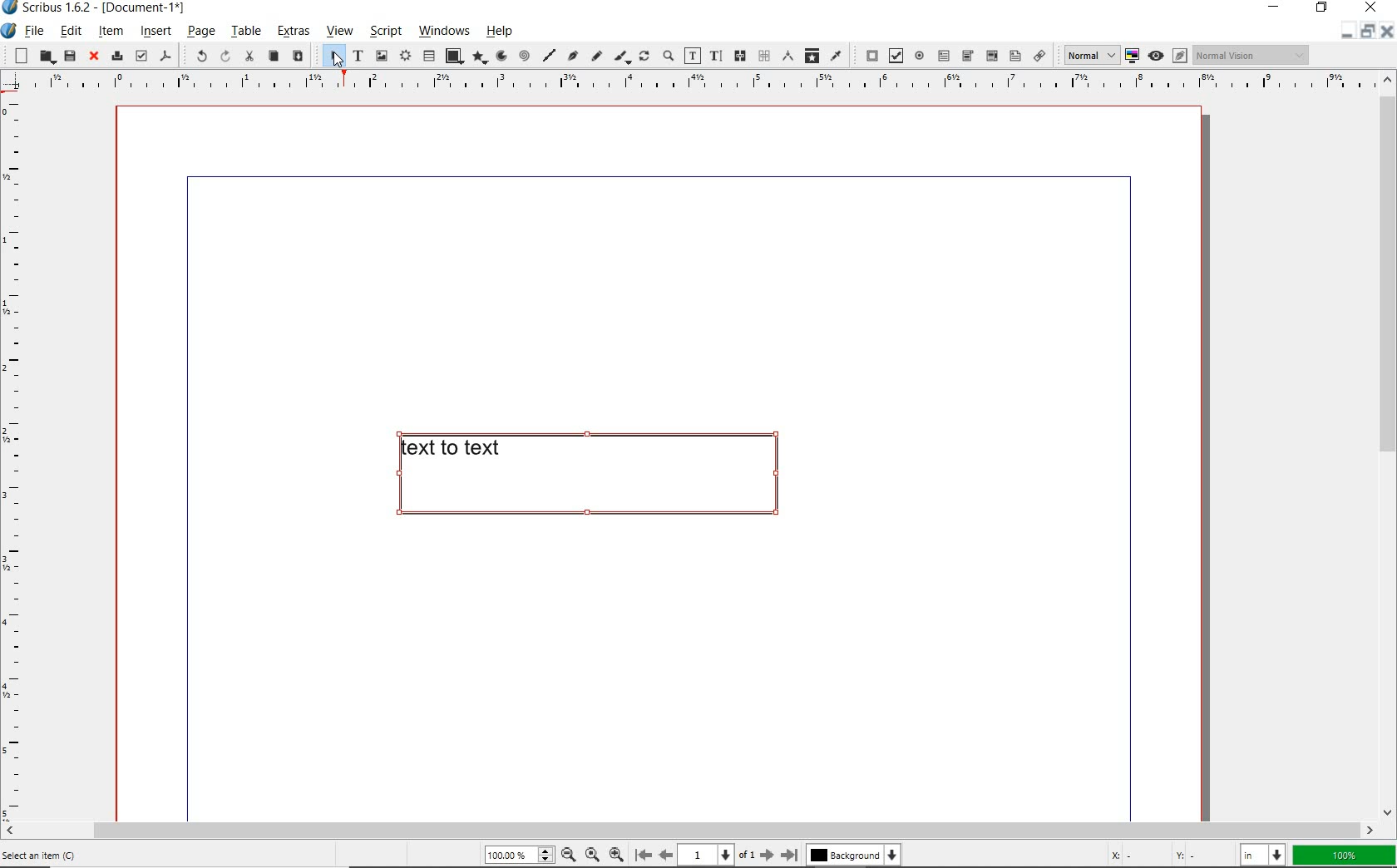 This screenshot has width=1397, height=868. I want to click on minimize, so click(1277, 8).